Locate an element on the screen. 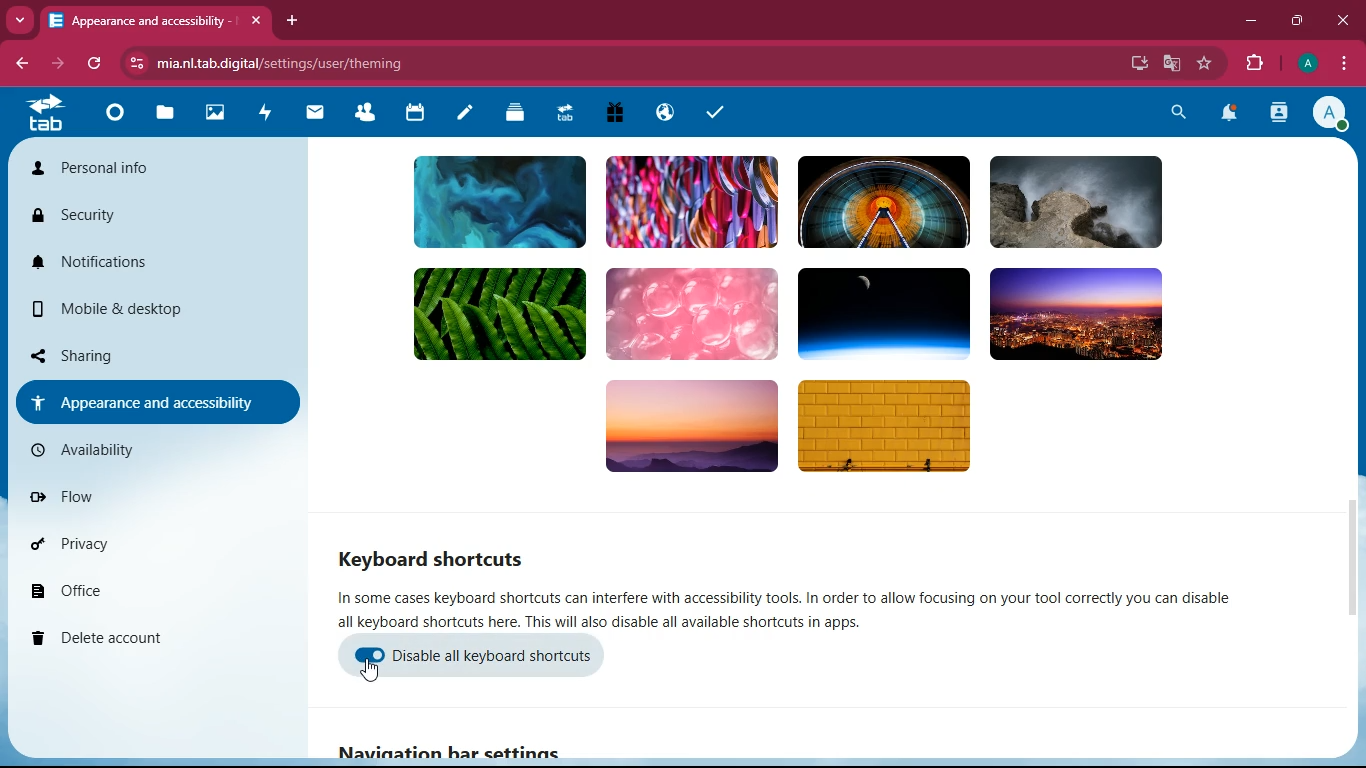 The image size is (1366, 768). availiability is located at coordinates (155, 454).